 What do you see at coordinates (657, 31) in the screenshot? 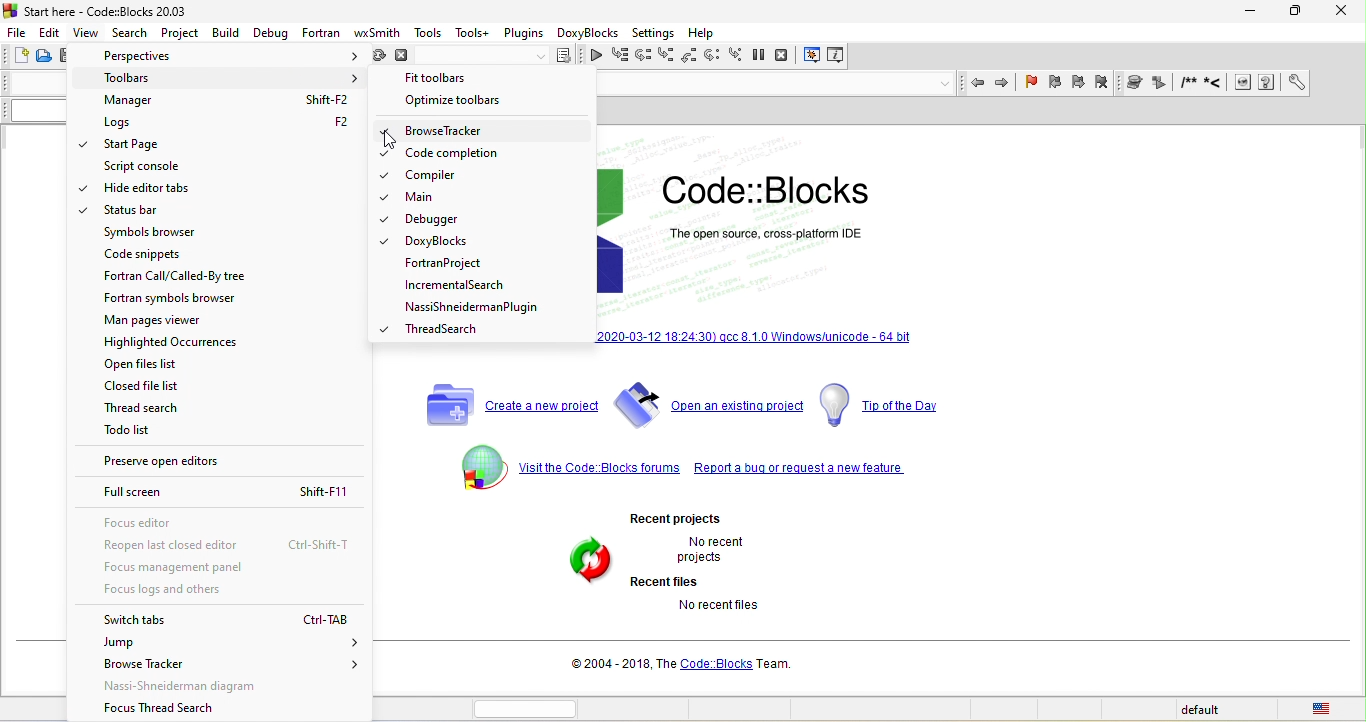
I see `settings` at bounding box center [657, 31].